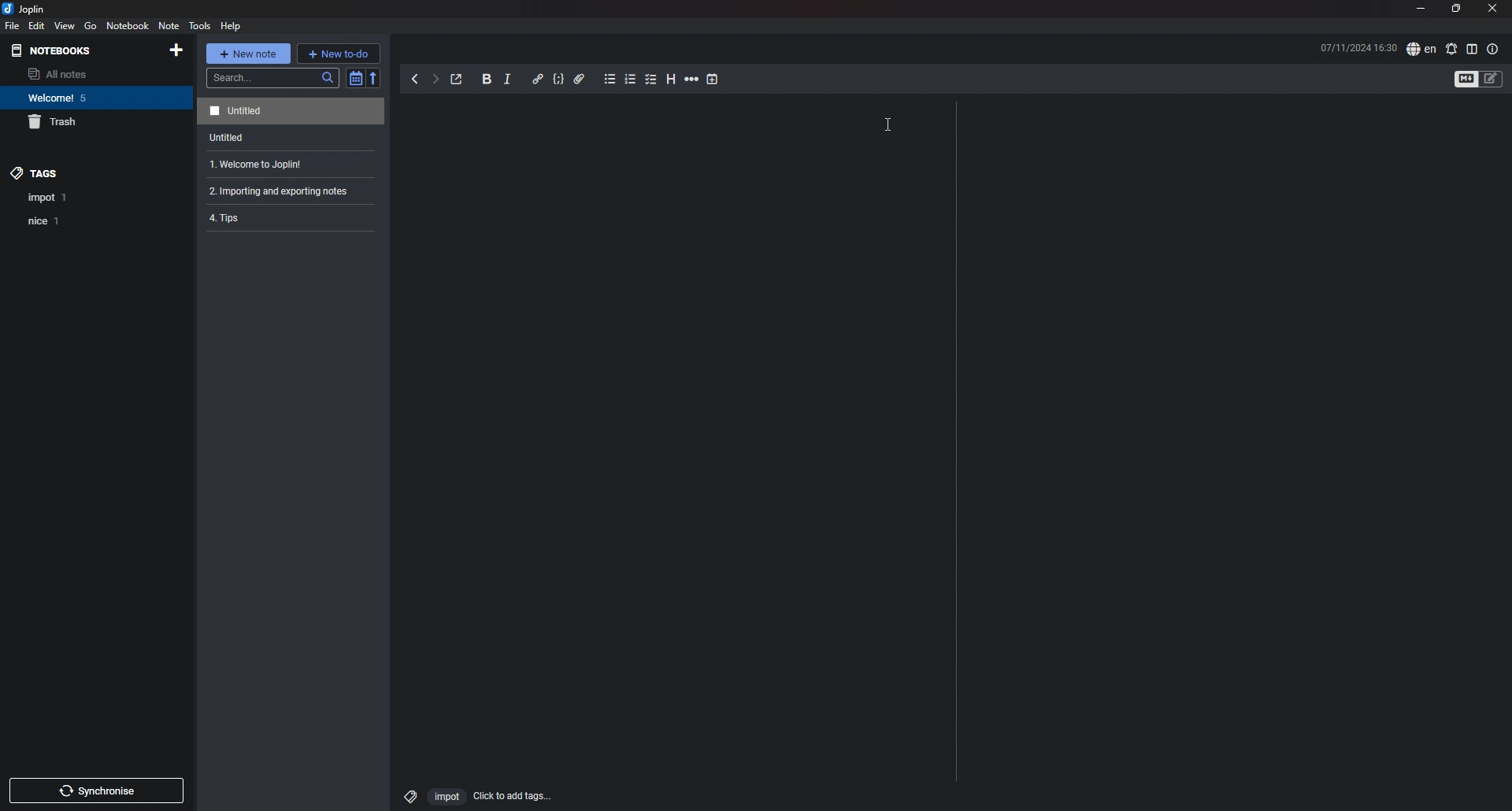 The width and height of the screenshot is (1512, 811). What do you see at coordinates (221, 139) in the screenshot?
I see `Untitled` at bounding box center [221, 139].